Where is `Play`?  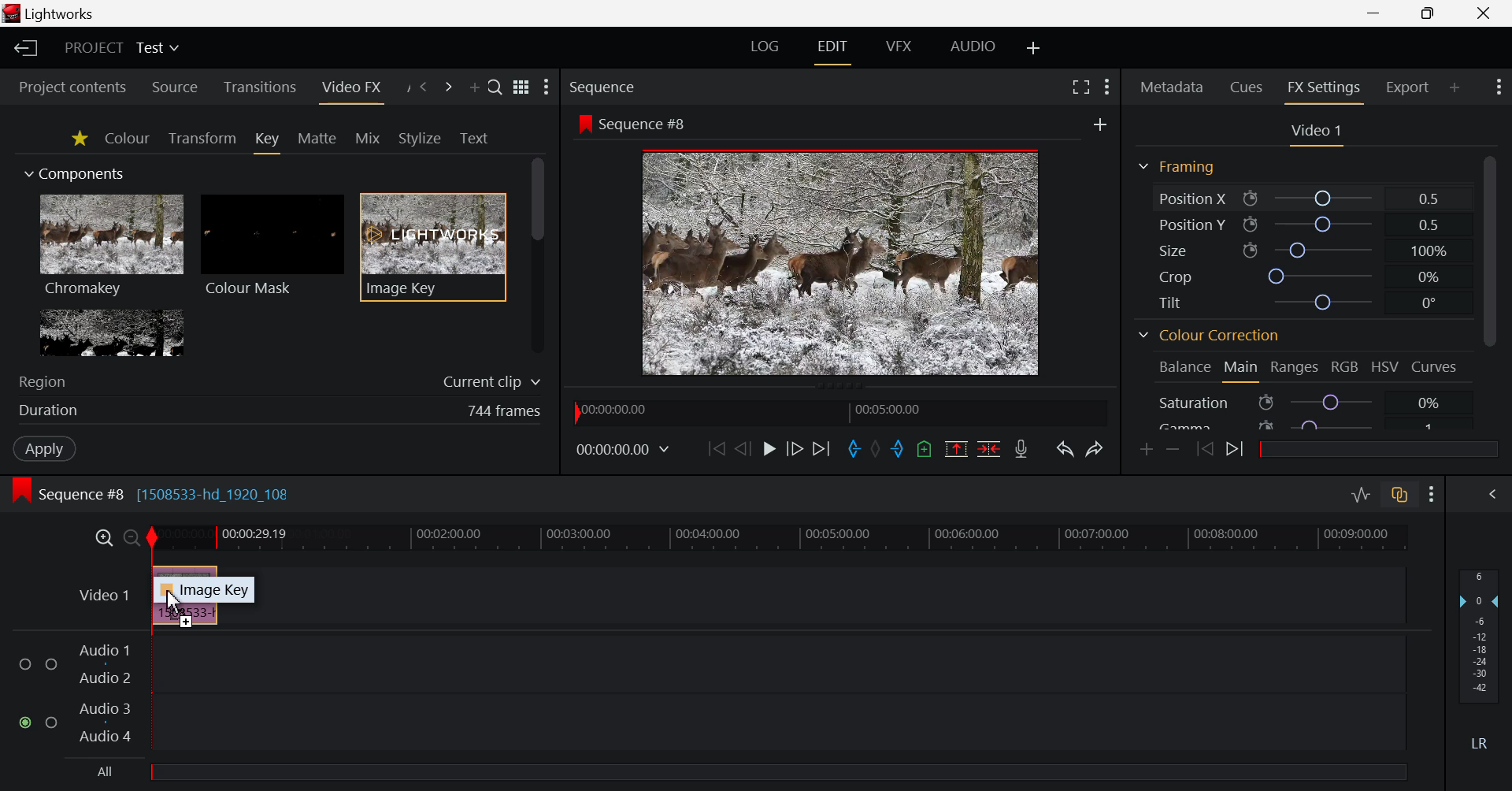 Play is located at coordinates (771, 450).